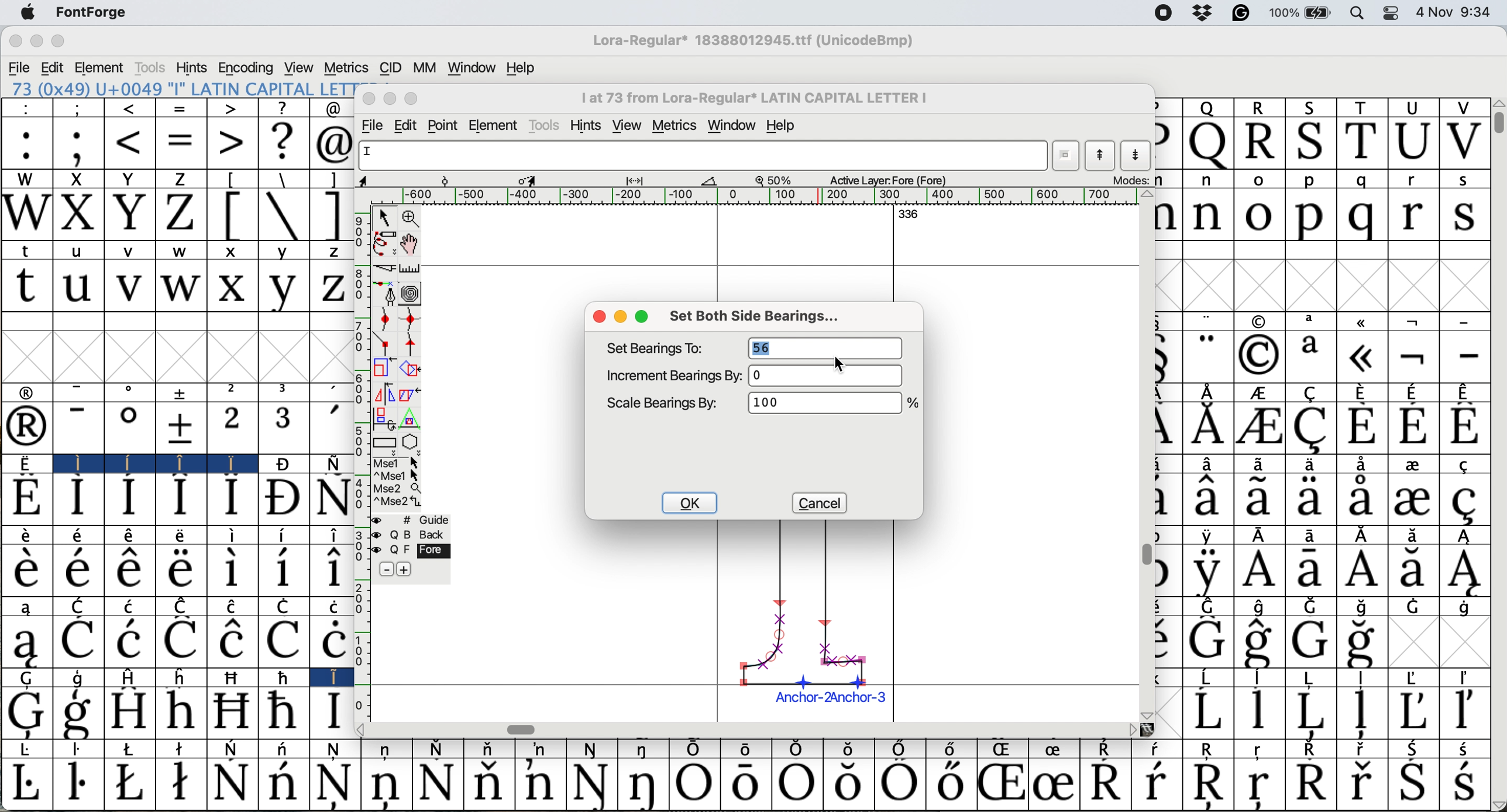 This screenshot has width=1507, height=812. Describe the element at coordinates (1417, 749) in the screenshot. I see `Symbol` at that location.